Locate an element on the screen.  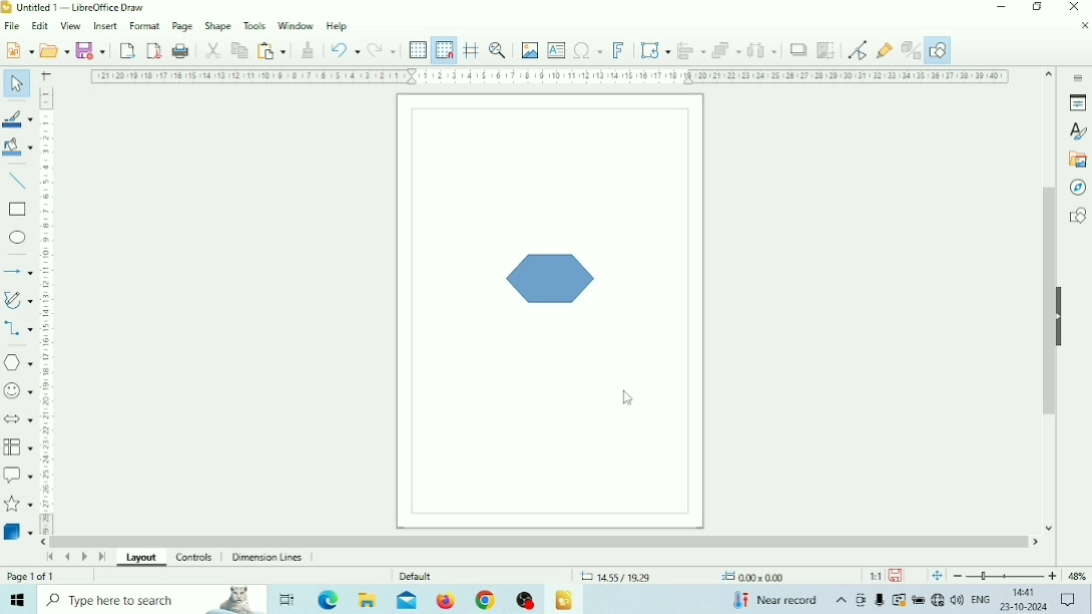
Page is located at coordinates (183, 25).